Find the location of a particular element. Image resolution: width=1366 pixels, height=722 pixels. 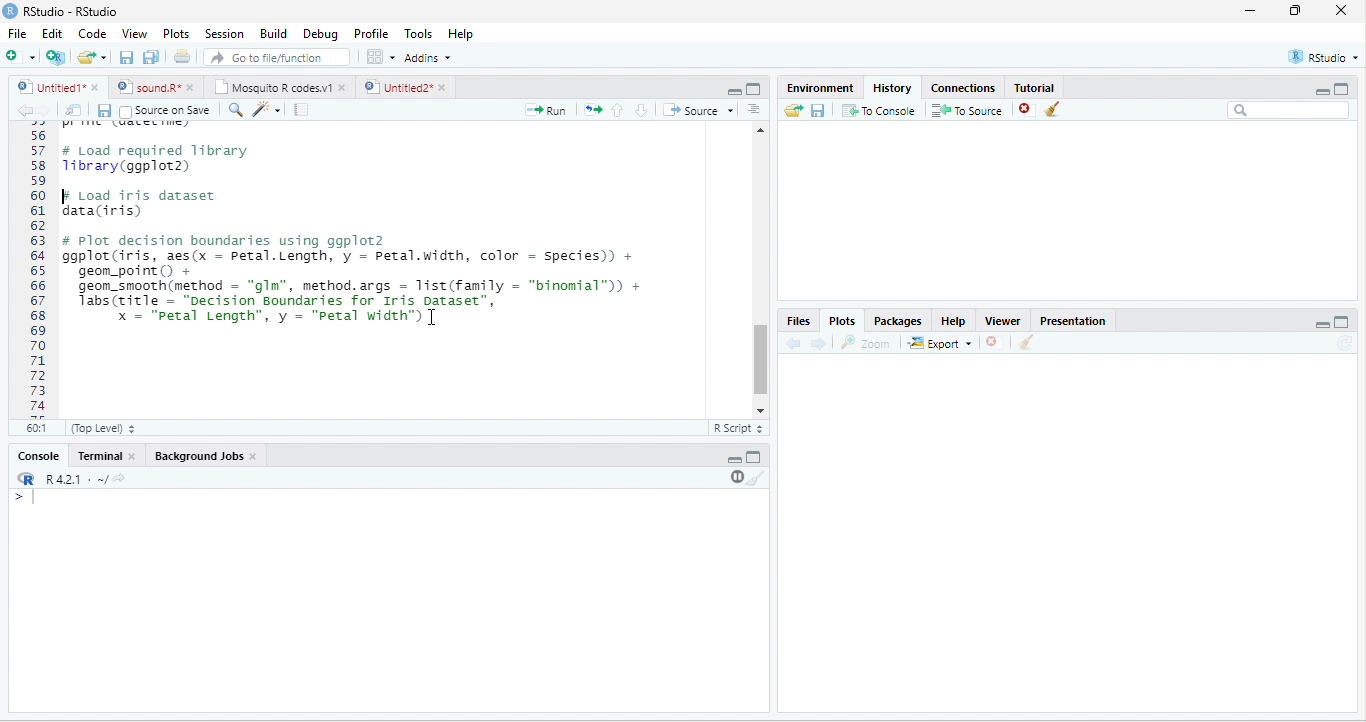

close is located at coordinates (97, 87).